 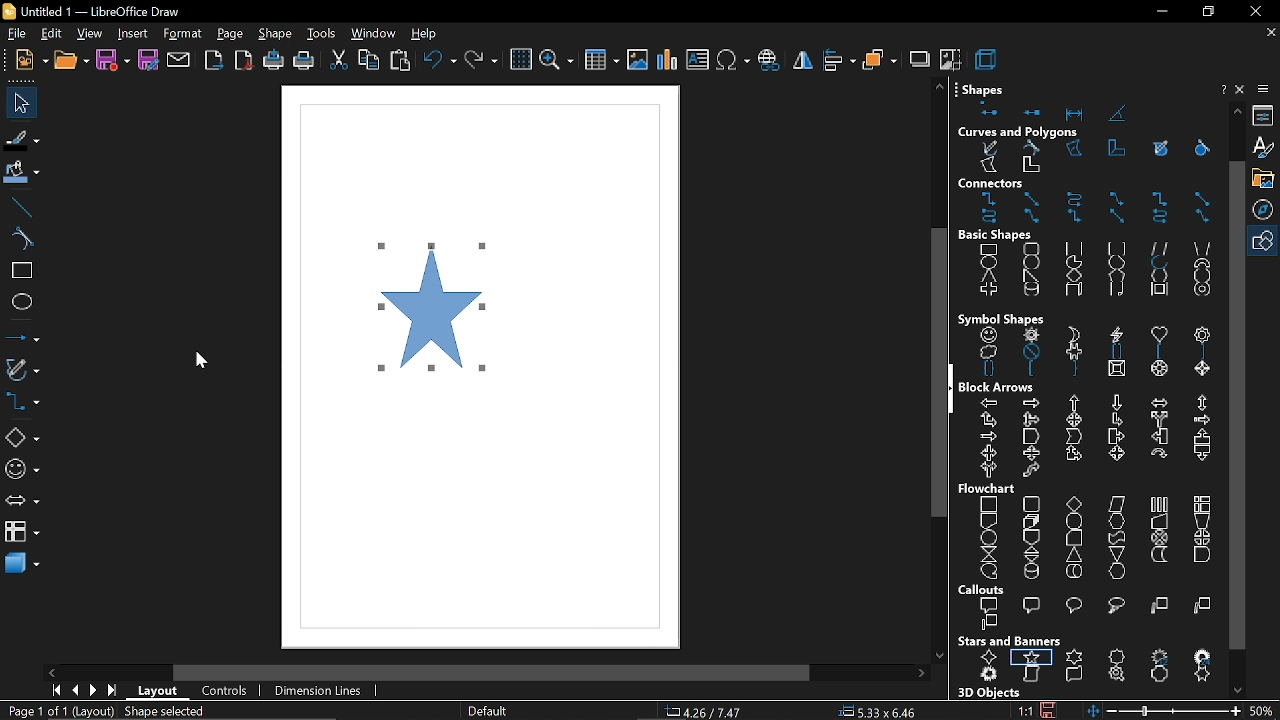 What do you see at coordinates (984, 88) in the screenshot?
I see `shapes` at bounding box center [984, 88].